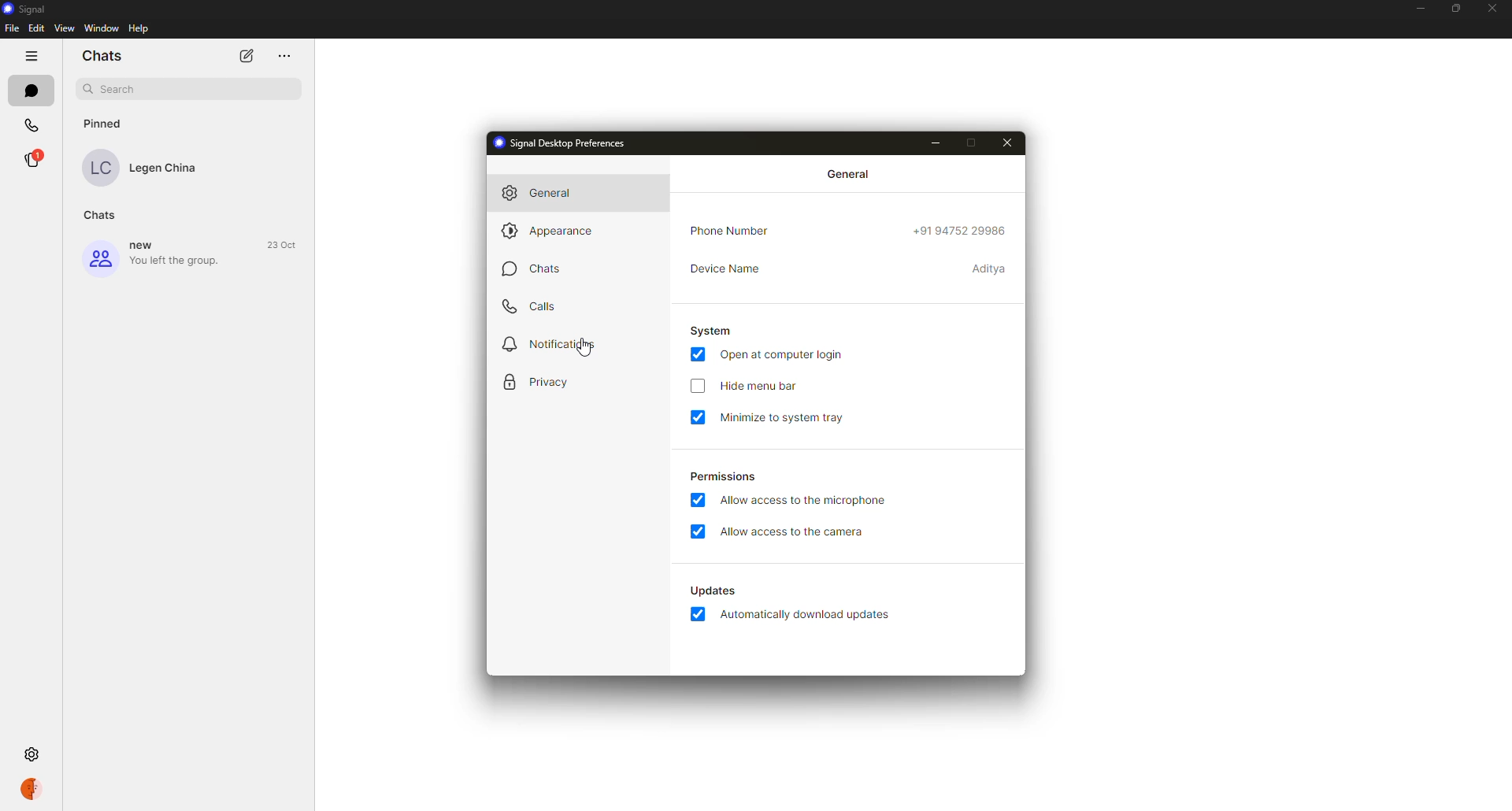 This screenshot has width=1512, height=811. Describe the element at coordinates (37, 28) in the screenshot. I see `Edit` at that location.